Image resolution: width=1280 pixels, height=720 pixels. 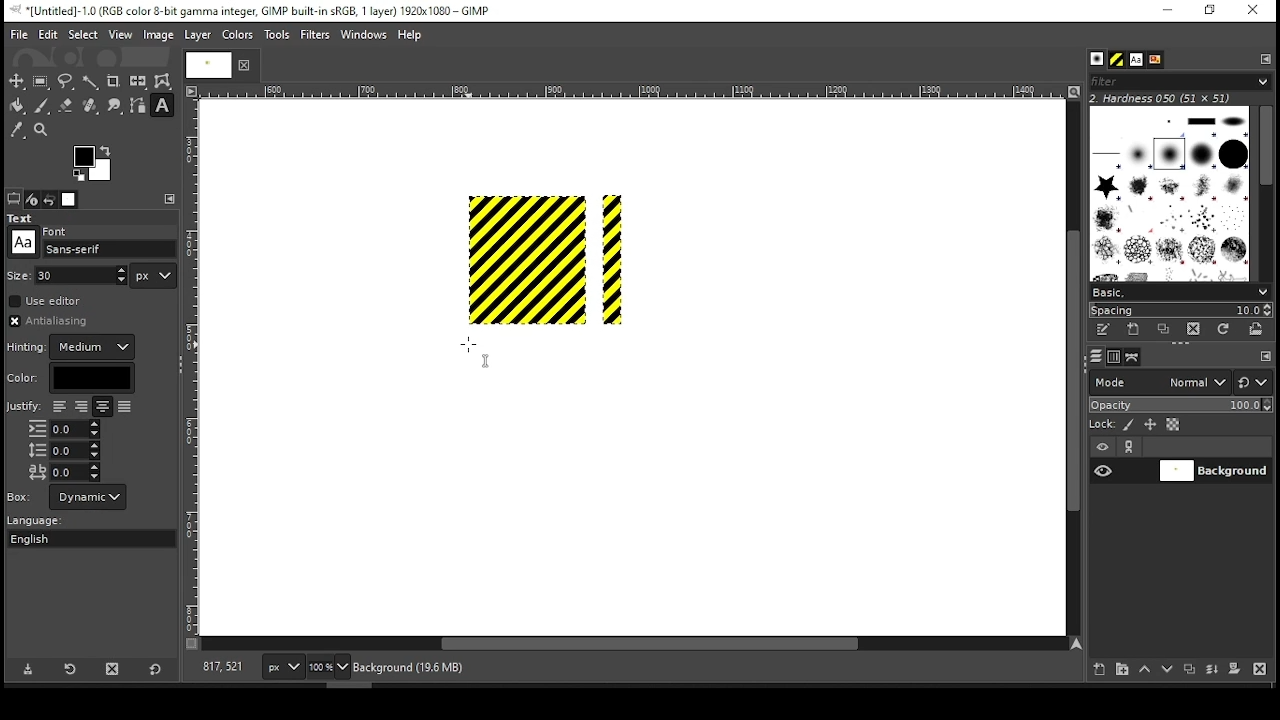 What do you see at coordinates (1266, 358) in the screenshot?
I see `configure this tab` at bounding box center [1266, 358].